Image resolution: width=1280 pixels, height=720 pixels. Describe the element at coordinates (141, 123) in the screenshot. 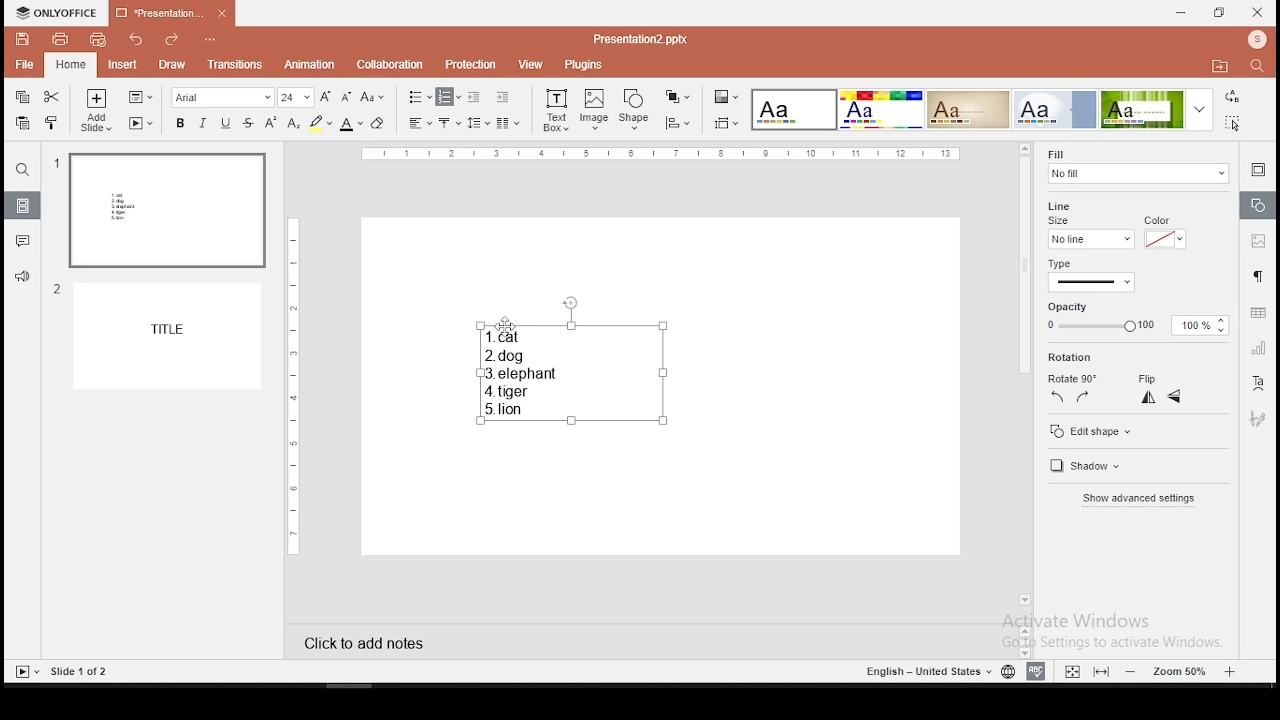

I see `start slideshow` at that location.